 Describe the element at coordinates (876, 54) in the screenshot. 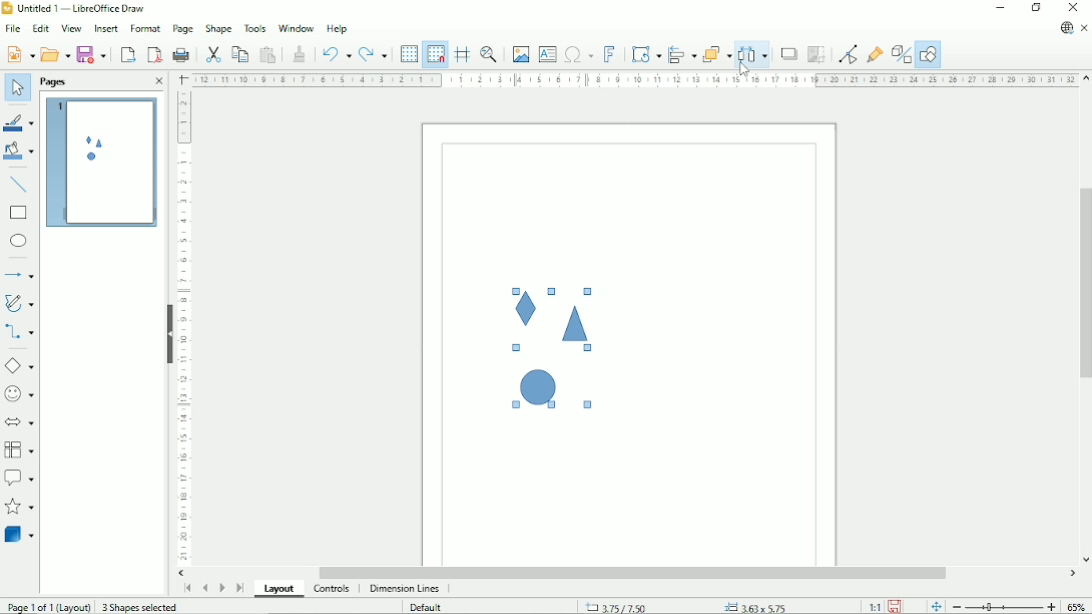

I see `Show gluepoint functions` at that location.